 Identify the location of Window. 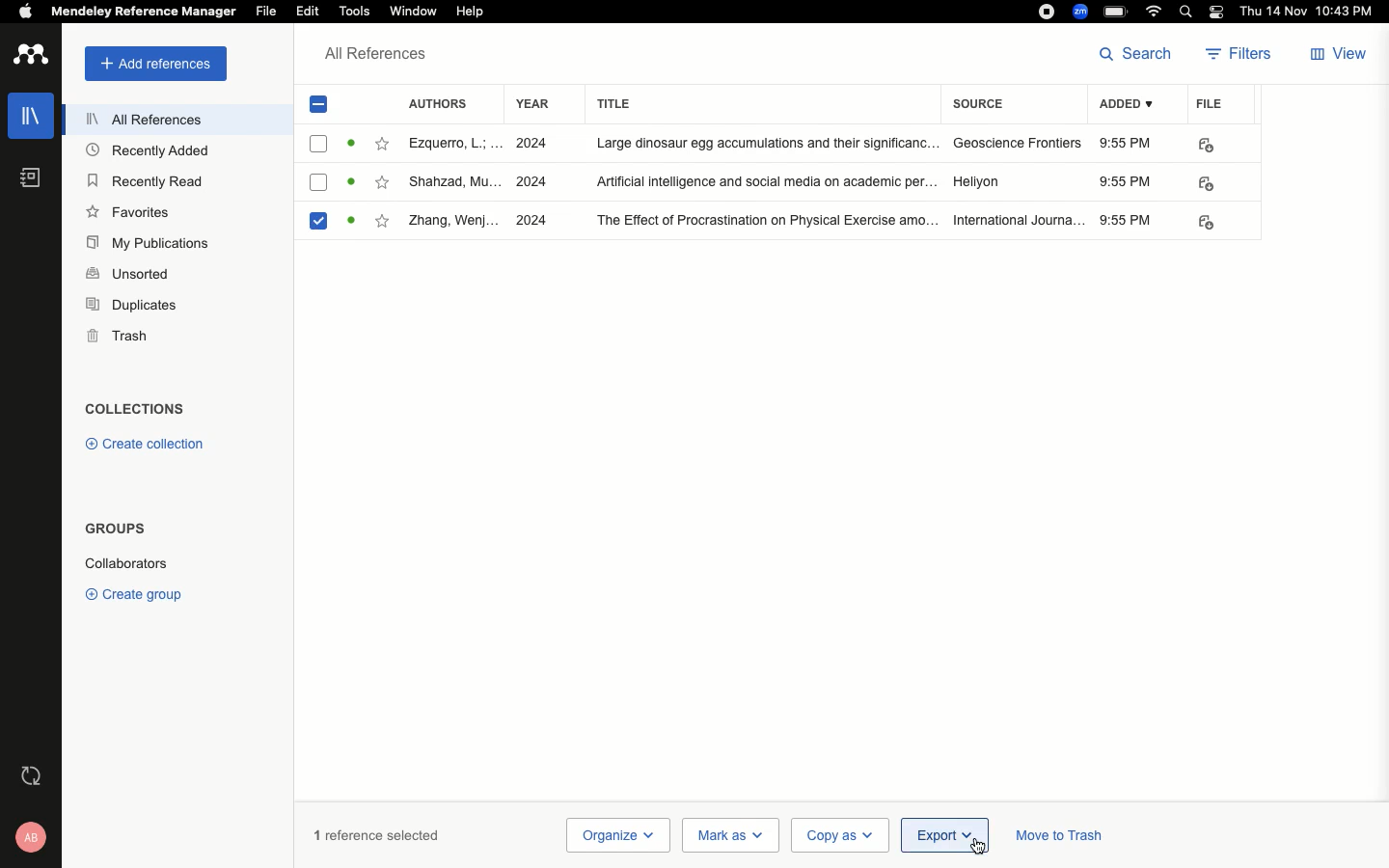
(413, 12).